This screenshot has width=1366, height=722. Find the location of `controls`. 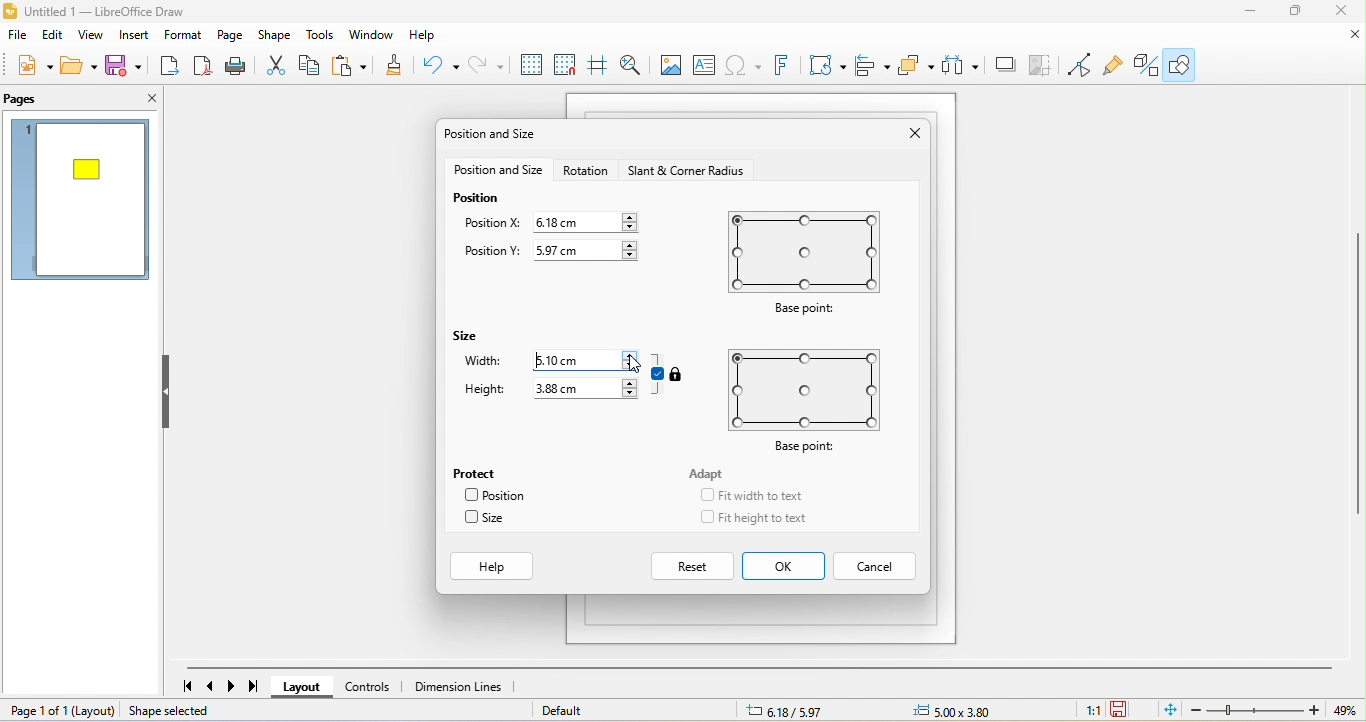

controls is located at coordinates (372, 687).